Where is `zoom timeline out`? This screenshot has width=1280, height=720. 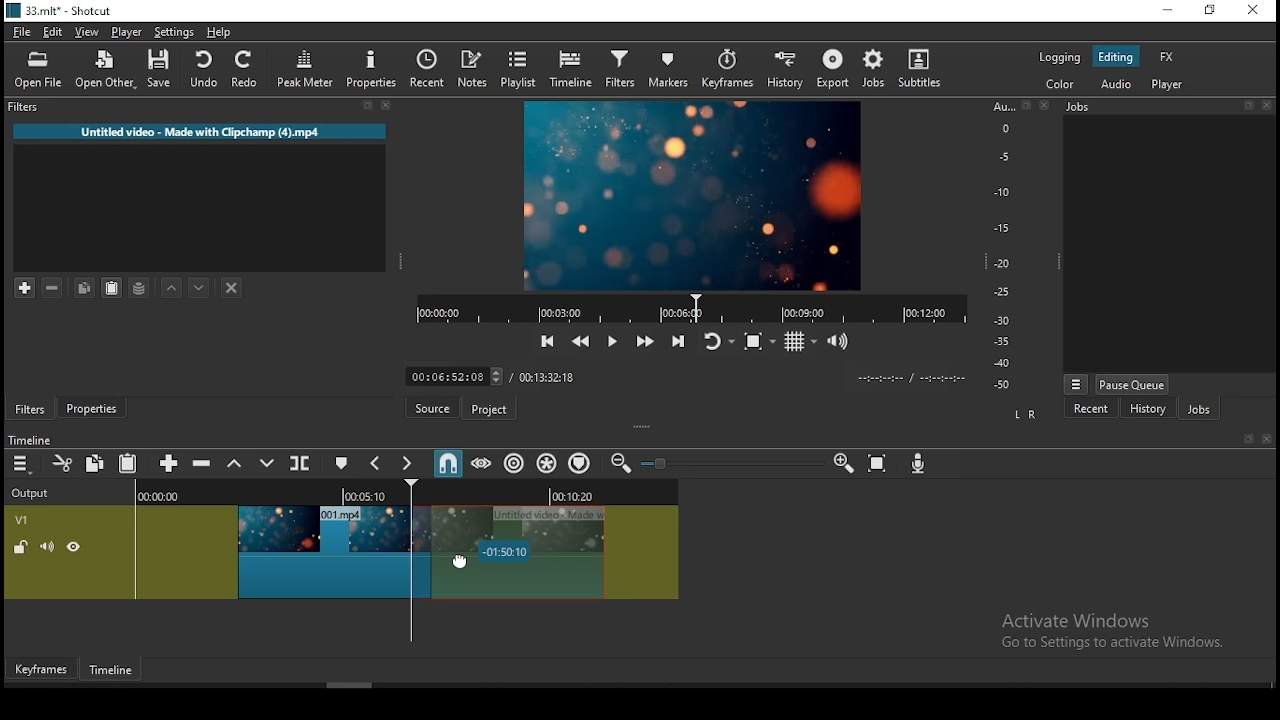 zoom timeline out is located at coordinates (623, 464).